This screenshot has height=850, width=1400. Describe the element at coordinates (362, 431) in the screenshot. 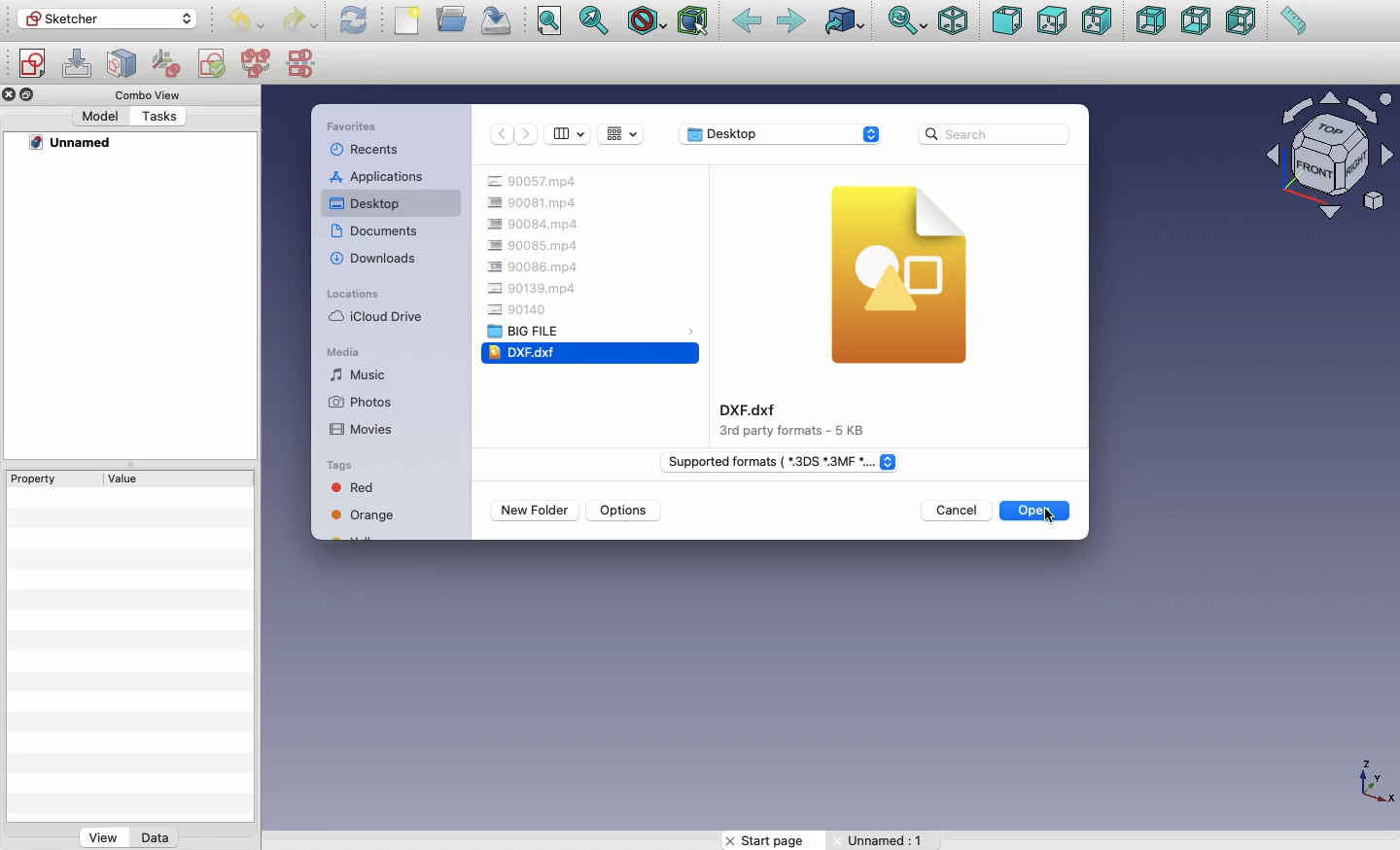

I see `Movies` at that location.